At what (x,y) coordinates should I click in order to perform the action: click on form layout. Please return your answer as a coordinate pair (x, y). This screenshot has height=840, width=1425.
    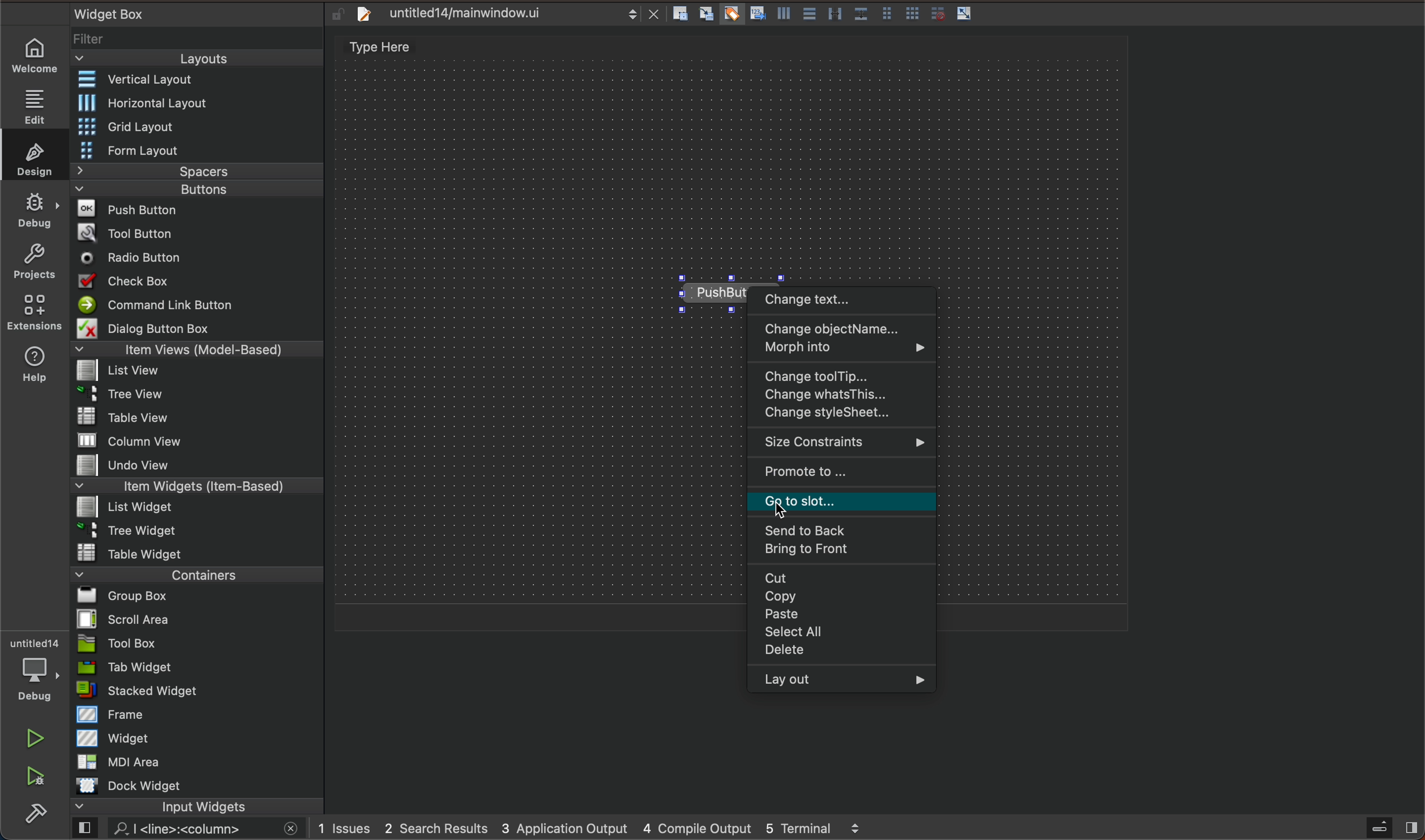
    Looking at the image, I should click on (197, 149).